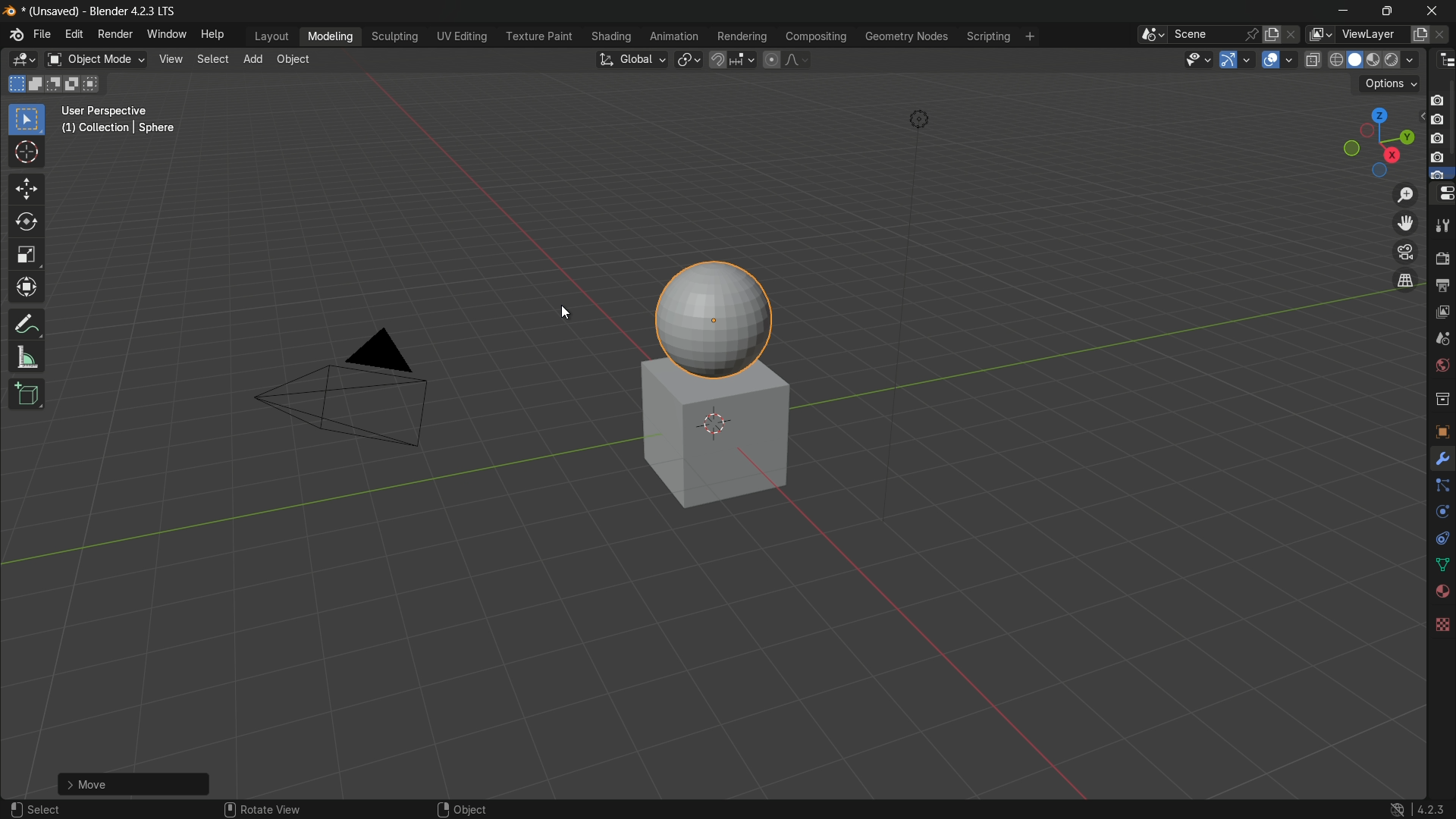  I want to click on render menu, so click(115, 35).